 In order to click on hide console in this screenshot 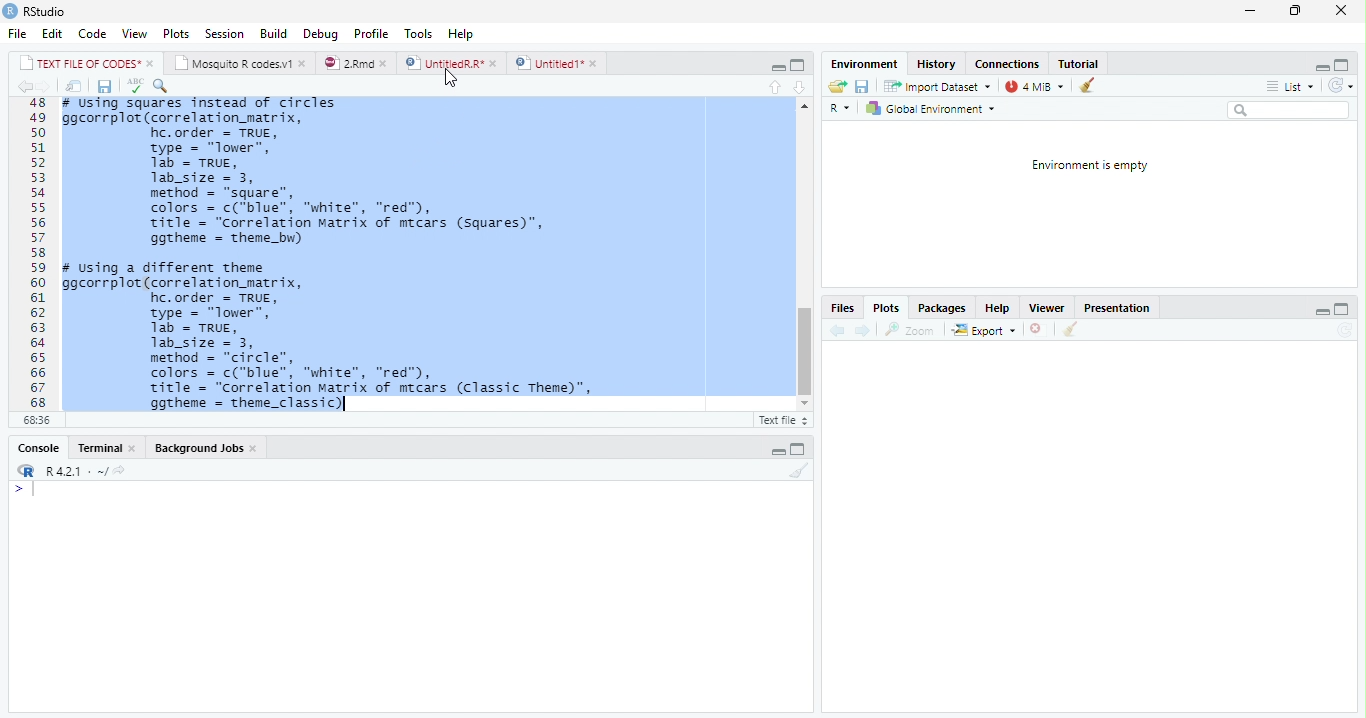, I will do `click(800, 447)`.